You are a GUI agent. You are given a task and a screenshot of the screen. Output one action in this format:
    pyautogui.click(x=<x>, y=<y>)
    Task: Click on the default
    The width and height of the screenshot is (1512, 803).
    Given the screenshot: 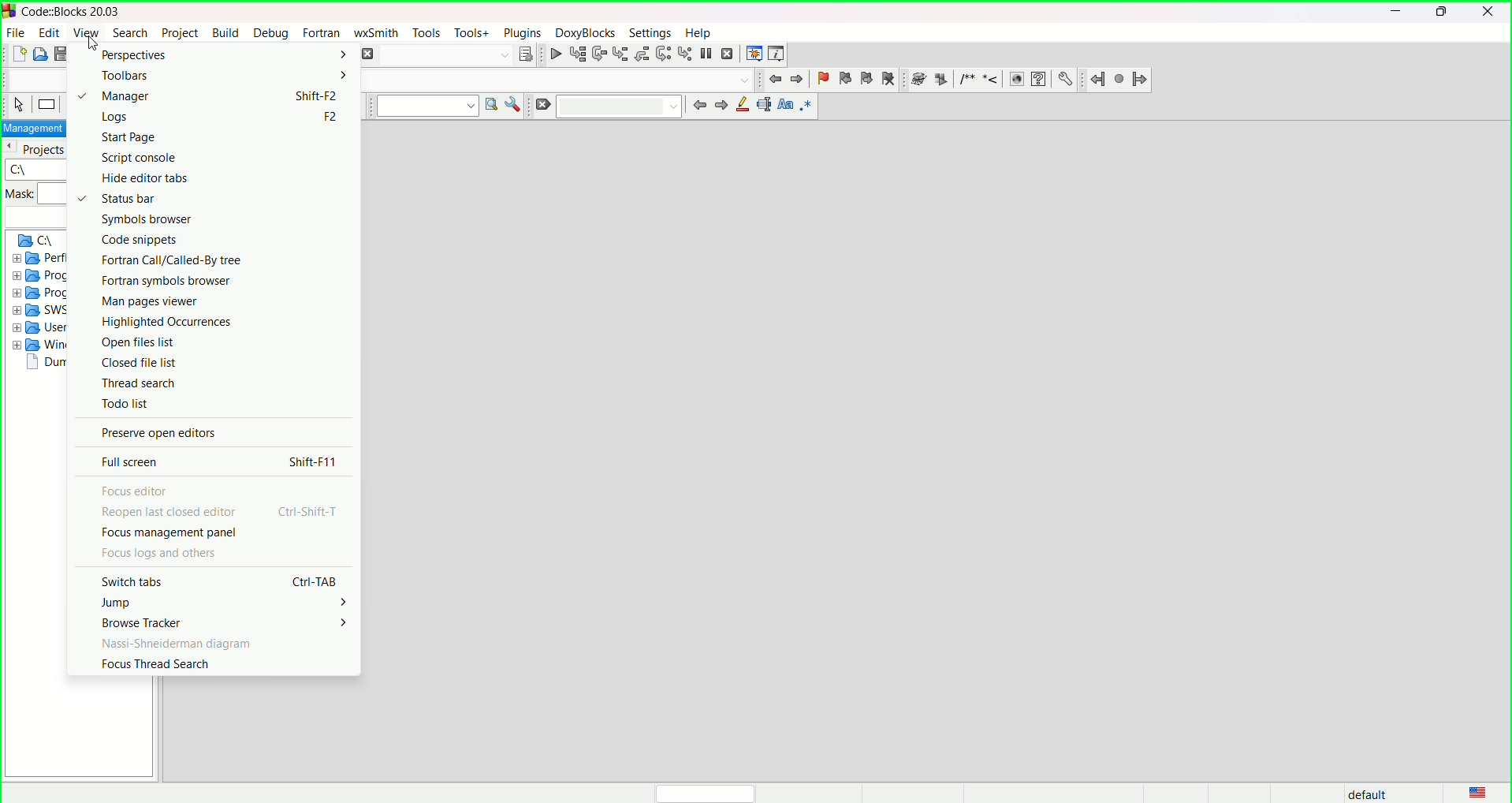 What is the action you would take?
    pyautogui.click(x=1362, y=793)
    